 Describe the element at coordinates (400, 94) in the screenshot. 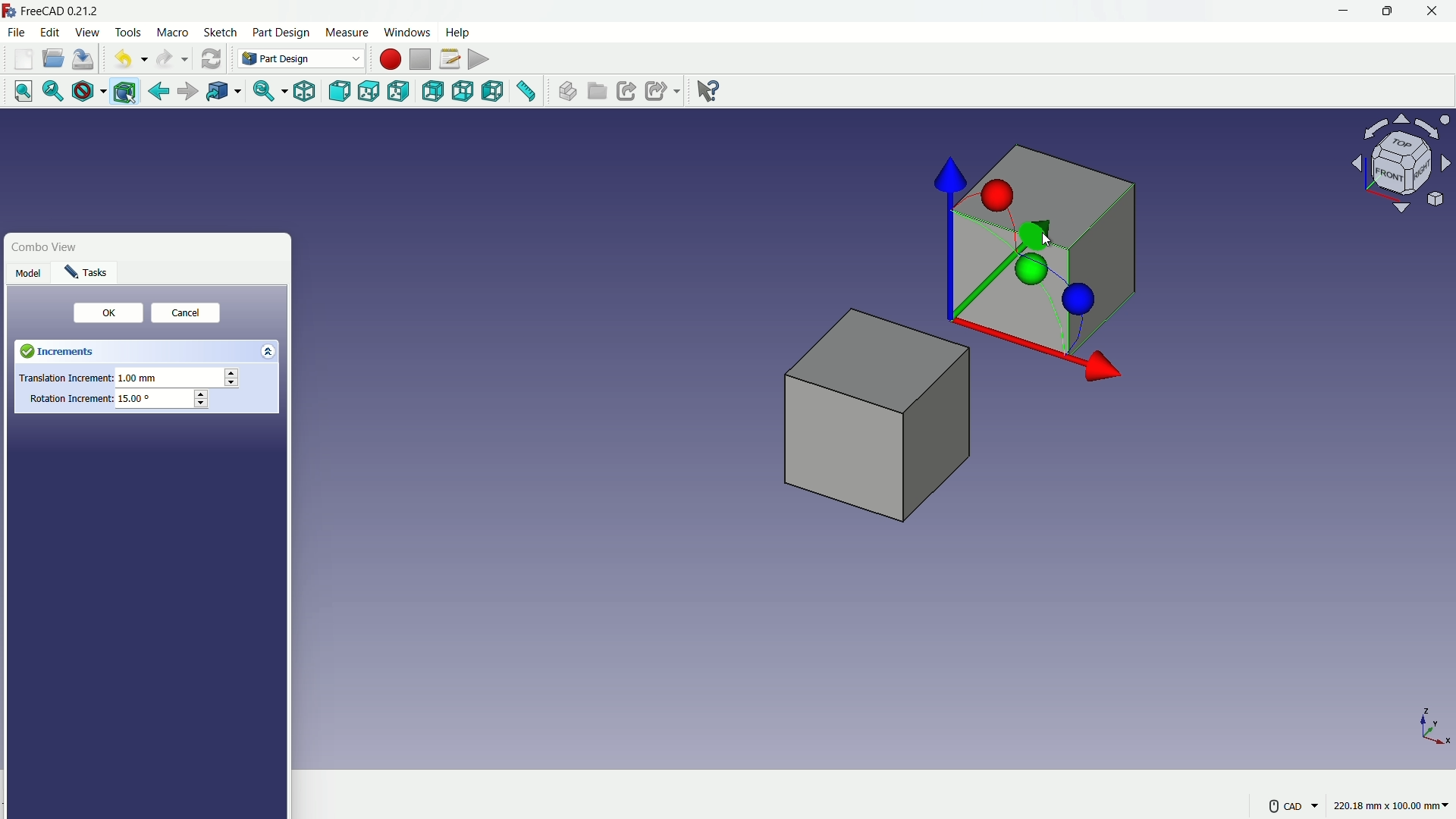

I see `right view` at that location.